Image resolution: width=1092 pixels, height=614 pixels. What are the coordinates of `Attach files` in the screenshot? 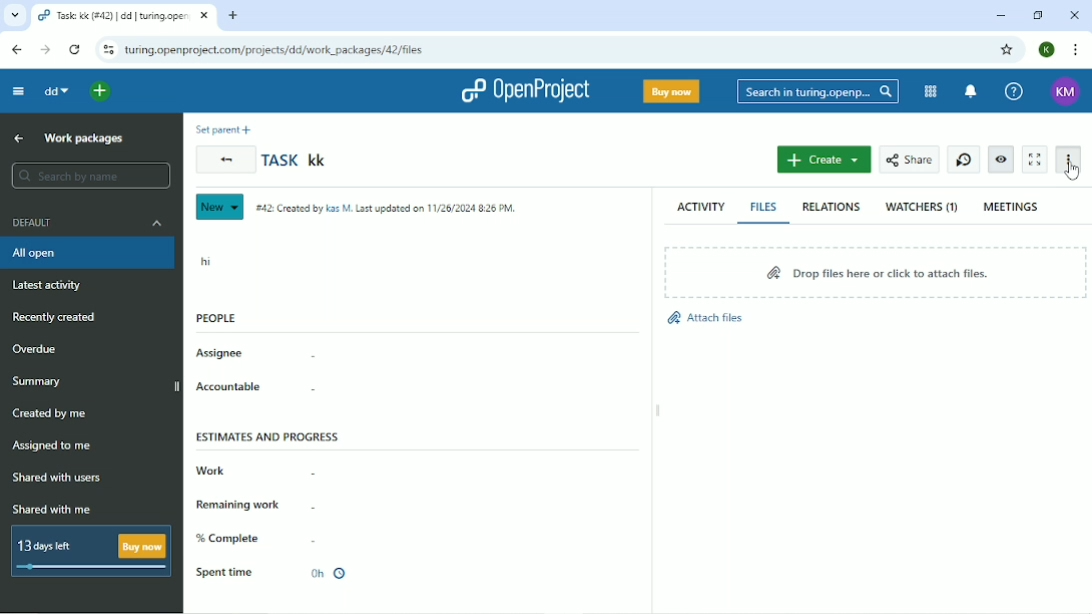 It's located at (705, 319).